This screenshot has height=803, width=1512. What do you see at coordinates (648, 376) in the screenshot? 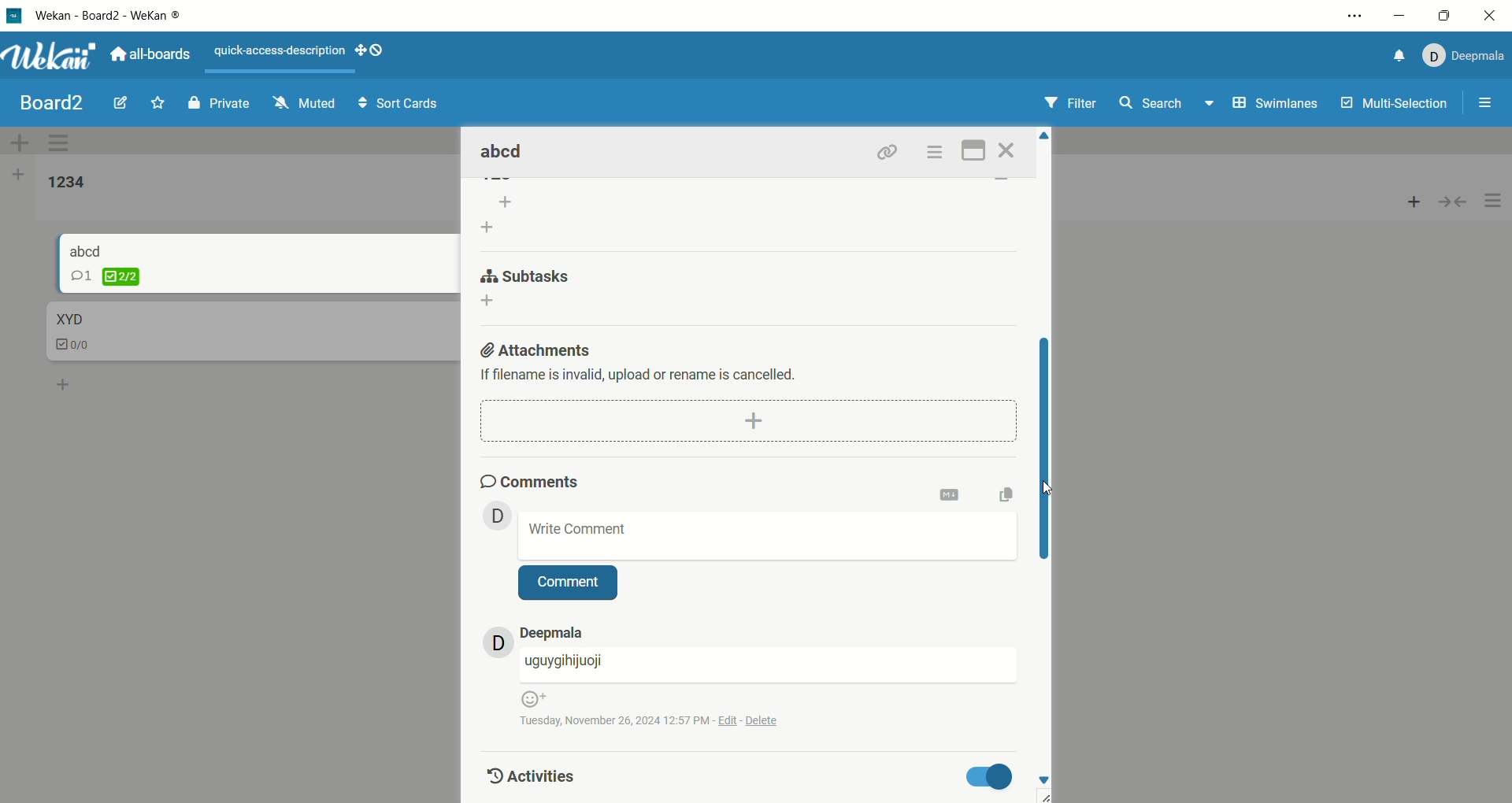
I see `text` at bounding box center [648, 376].